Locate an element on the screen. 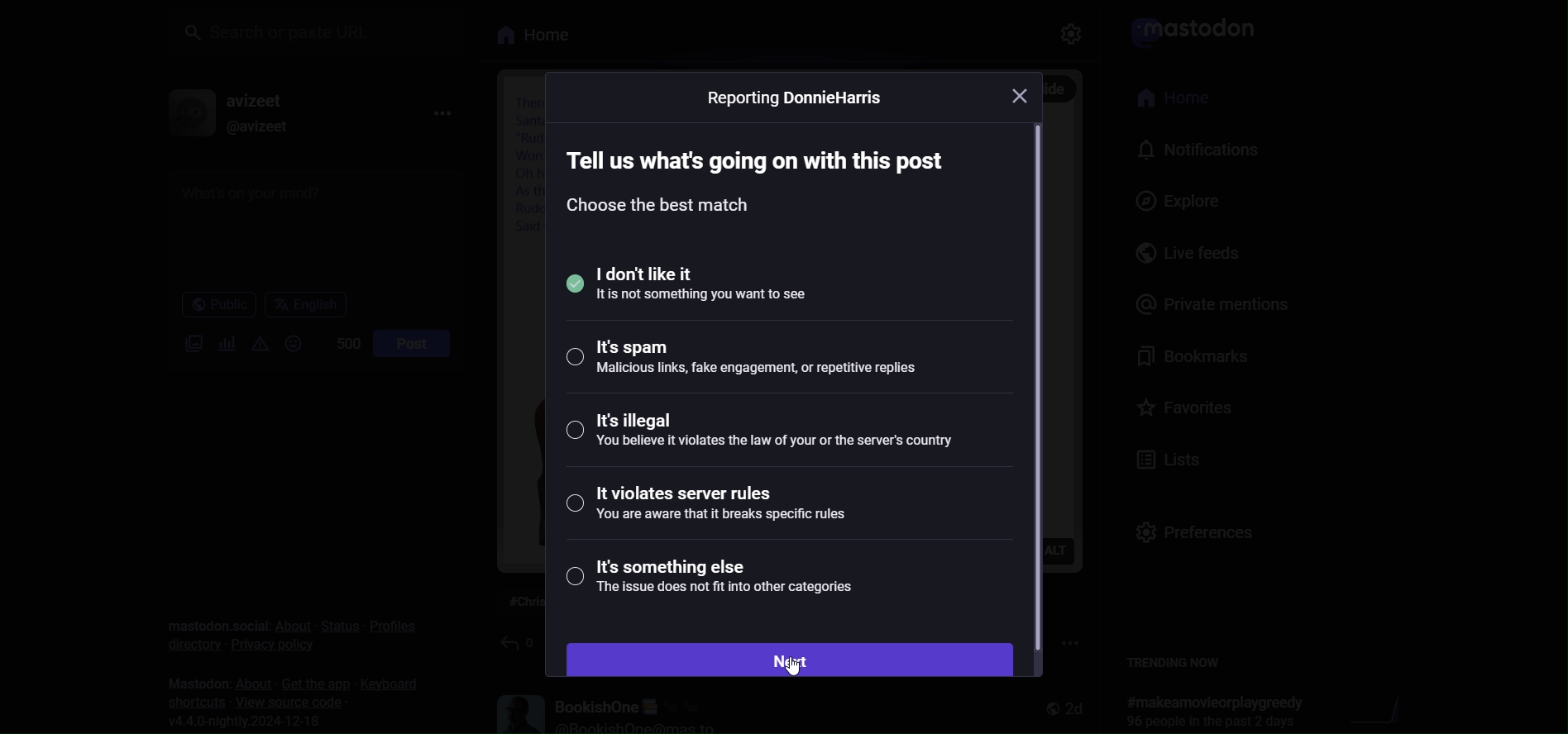  scroll bar is located at coordinates (1043, 388).